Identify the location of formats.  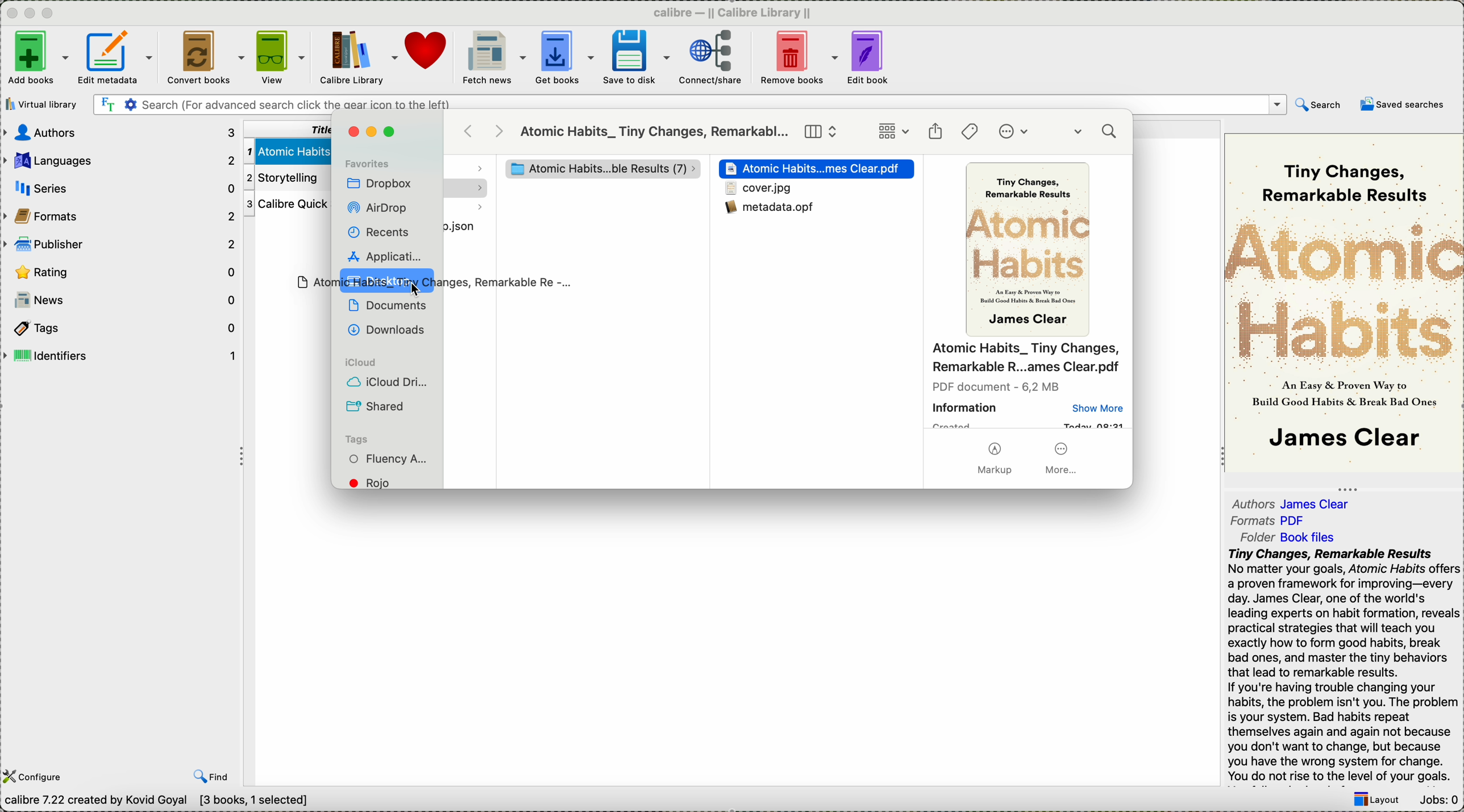
(1271, 521).